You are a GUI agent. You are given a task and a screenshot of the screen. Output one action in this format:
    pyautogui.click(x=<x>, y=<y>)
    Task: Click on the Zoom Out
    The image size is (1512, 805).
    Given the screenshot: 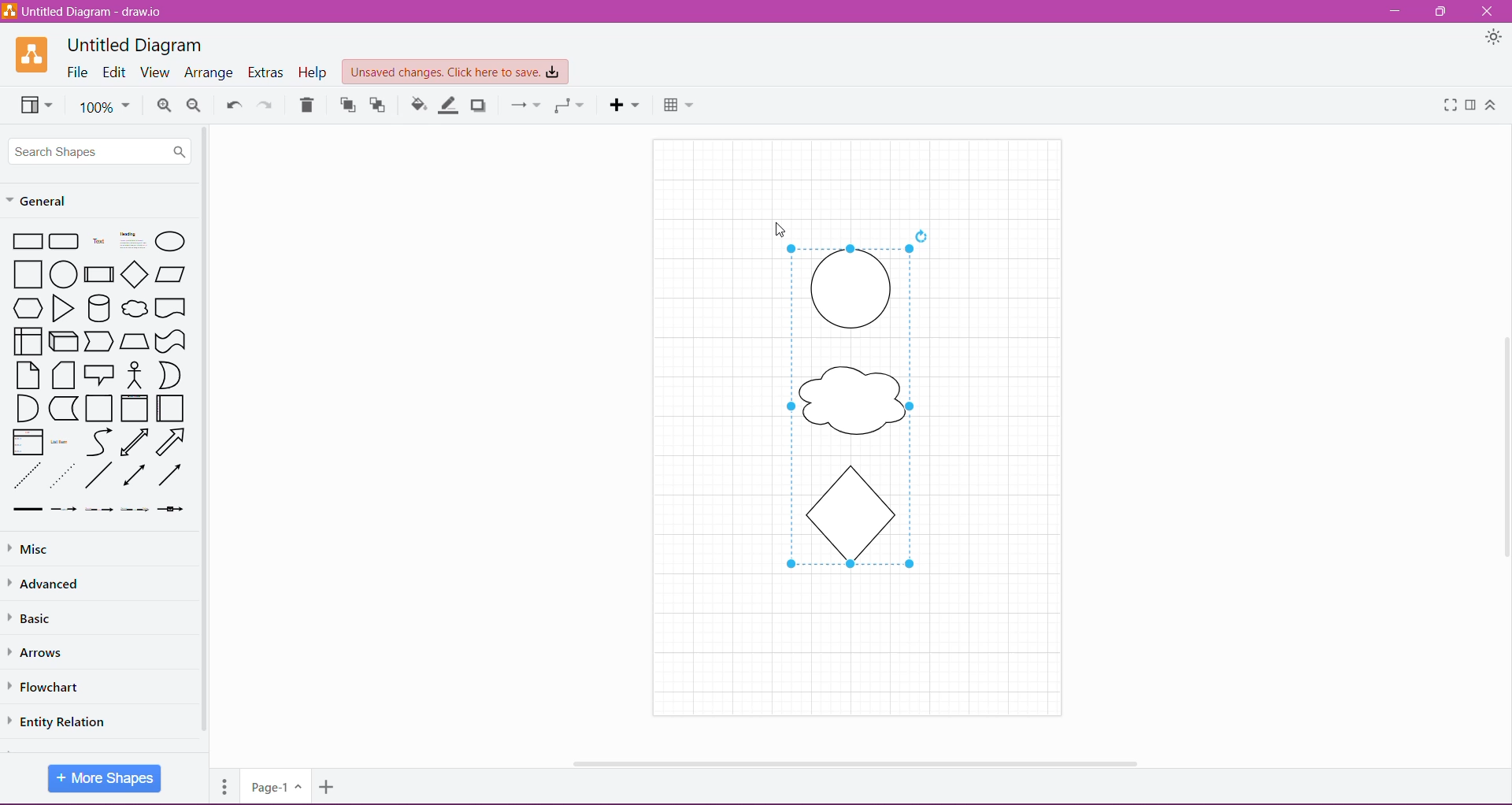 What is the action you would take?
    pyautogui.click(x=195, y=106)
    